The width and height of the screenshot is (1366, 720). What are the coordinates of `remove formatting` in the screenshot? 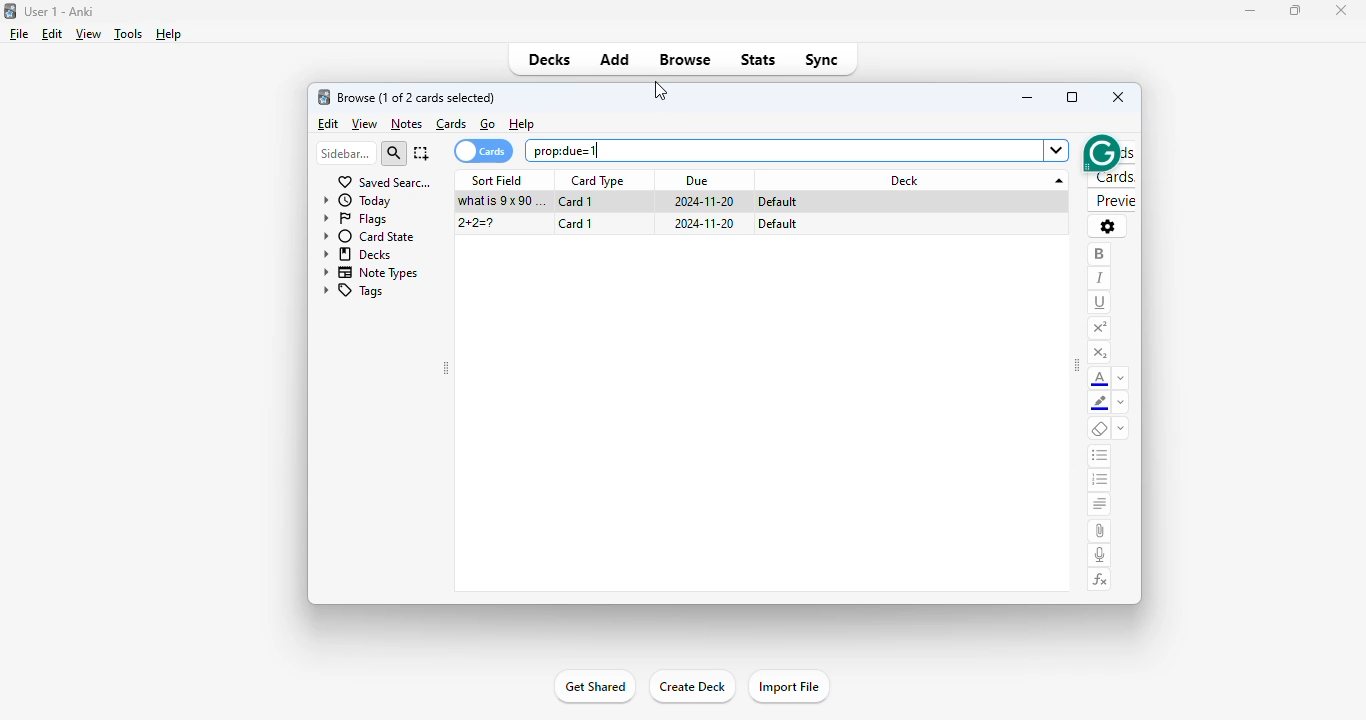 It's located at (1100, 429).